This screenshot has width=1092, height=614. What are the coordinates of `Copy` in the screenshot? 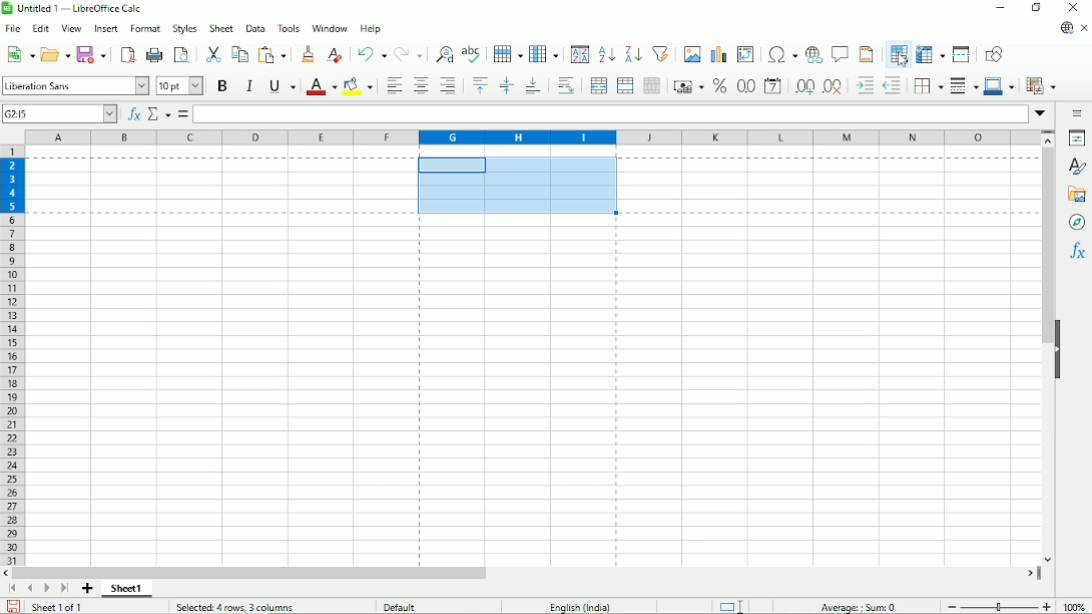 It's located at (239, 54).